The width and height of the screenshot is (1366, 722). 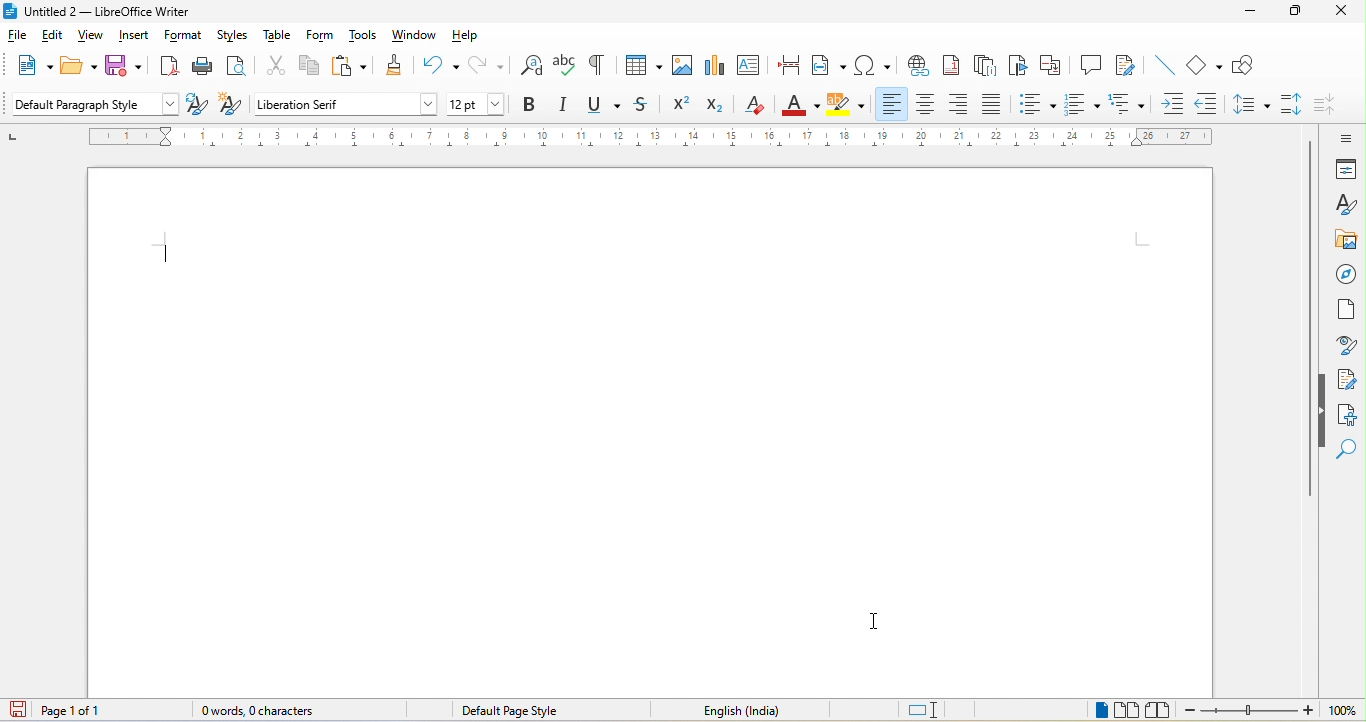 I want to click on line, so click(x=1161, y=69).